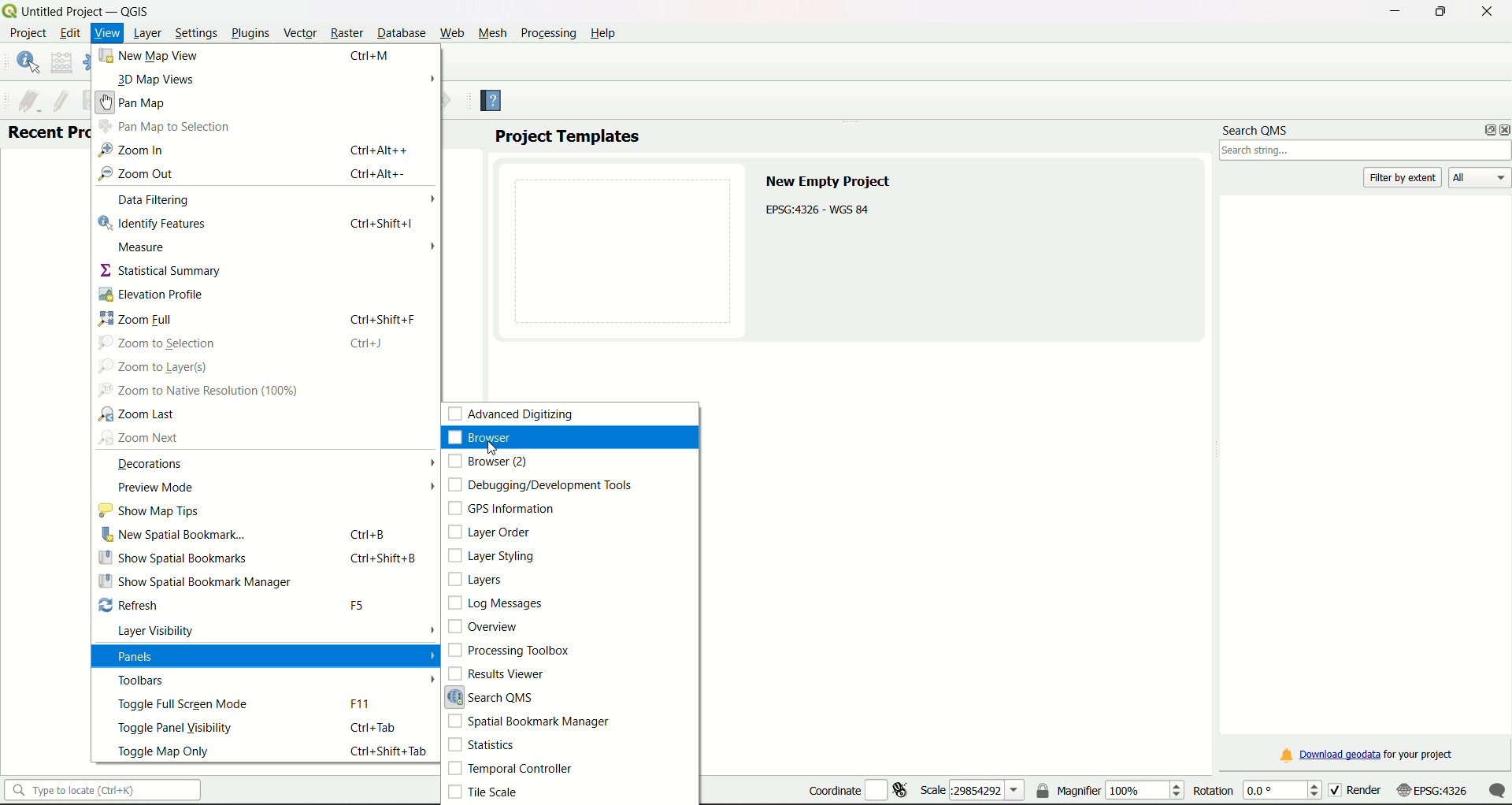 The height and width of the screenshot is (805, 1512). What do you see at coordinates (489, 532) in the screenshot?
I see `Layer Order` at bounding box center [489, 532].